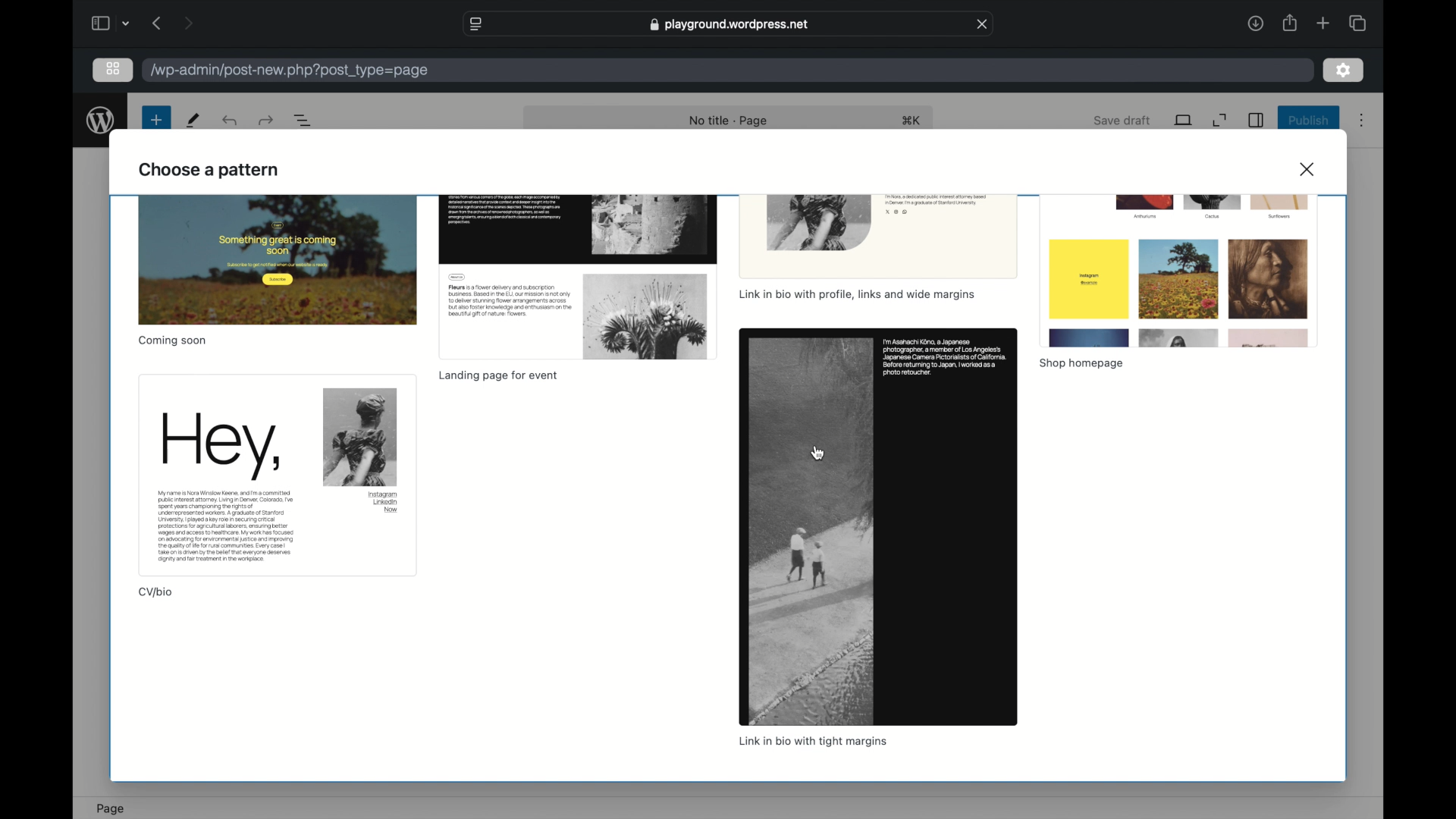 This screenshot has height=819, width=1456. Describe the element at coordinates (497, 376) in the screenshot. I see `landing page for event` at that location.